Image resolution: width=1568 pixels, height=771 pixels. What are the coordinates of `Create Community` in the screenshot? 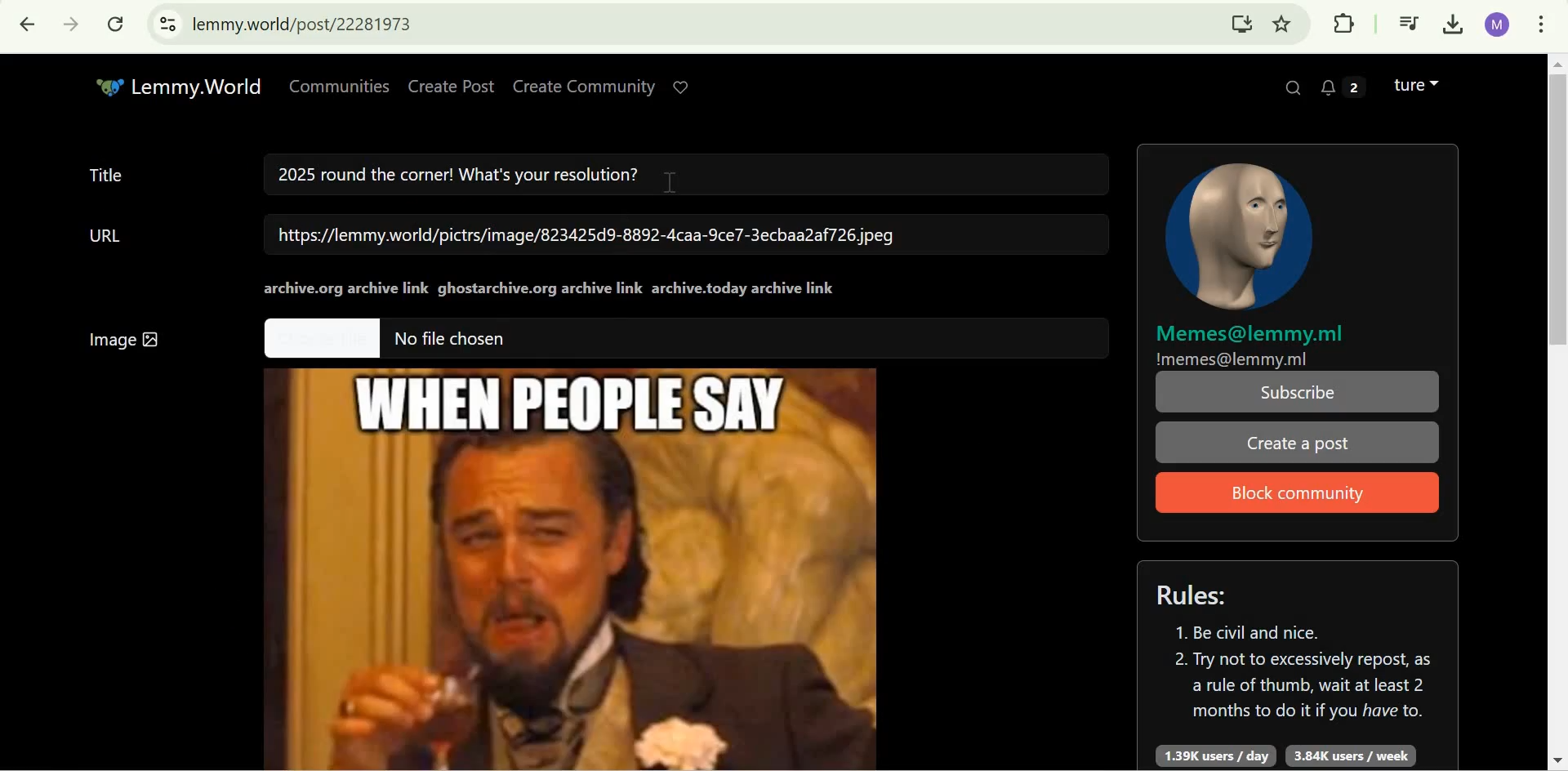 It's located at (583, 87).